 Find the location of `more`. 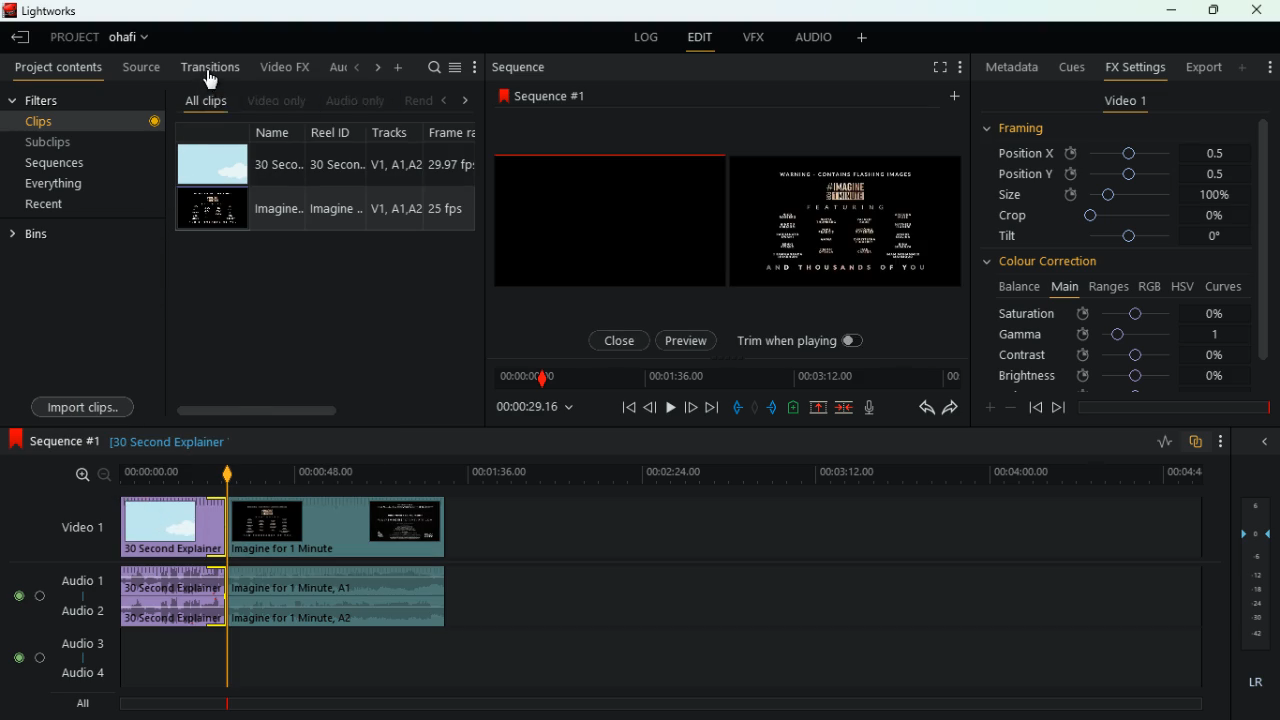

more is located at coordinates (963, 69).